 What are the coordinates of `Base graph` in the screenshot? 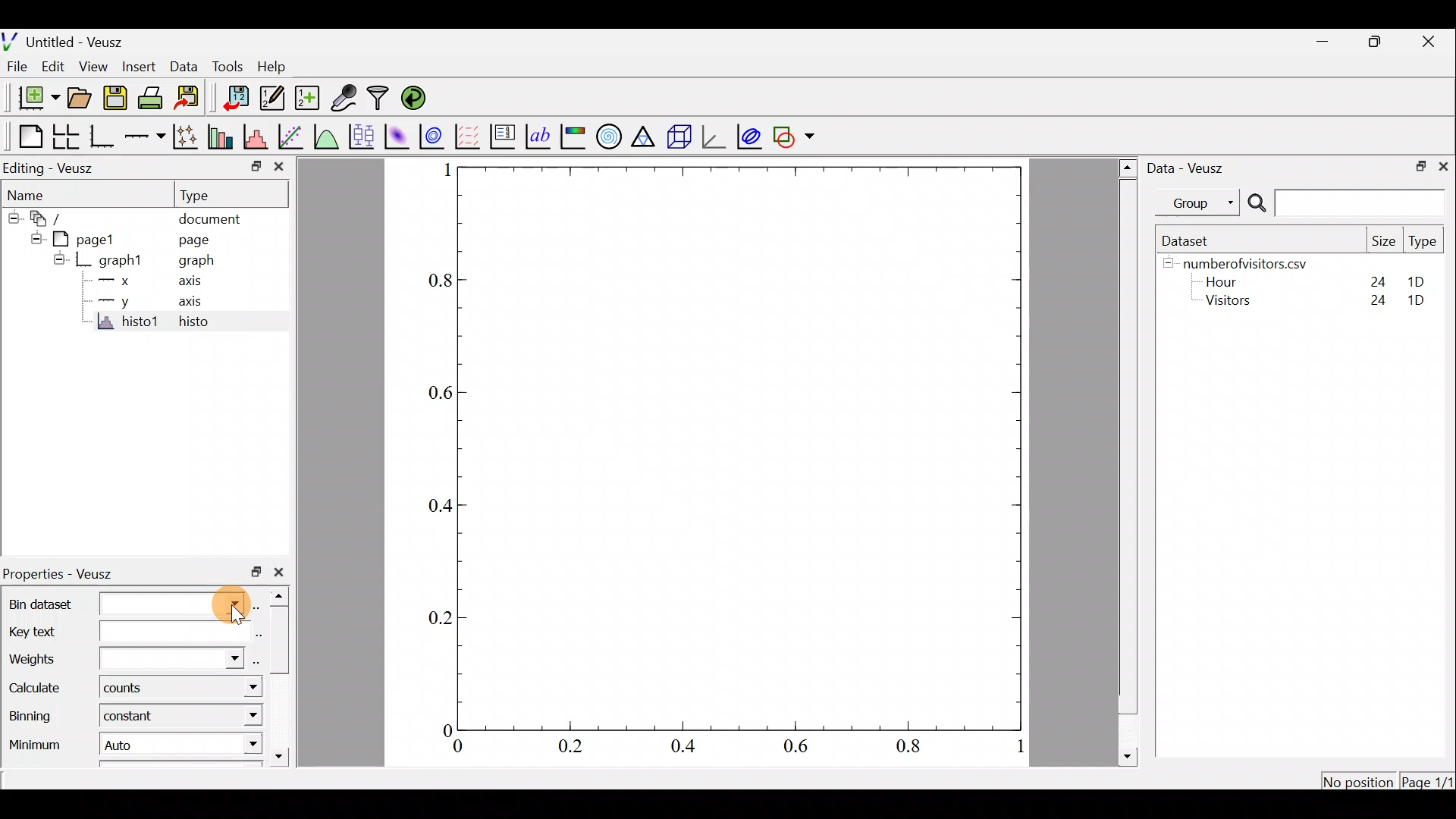 It's located at (103, 137).